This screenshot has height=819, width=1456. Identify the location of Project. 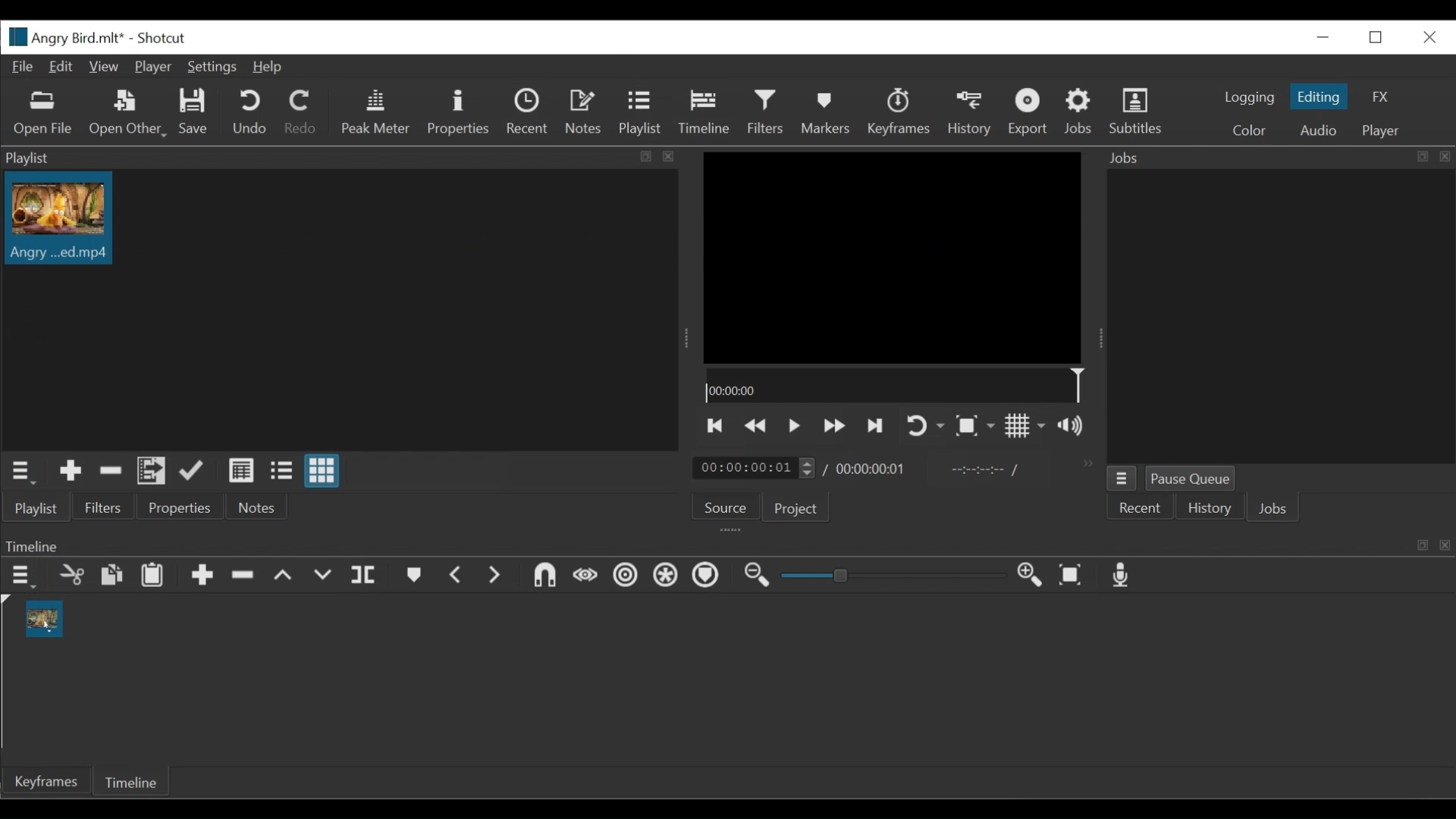
(797, 510).